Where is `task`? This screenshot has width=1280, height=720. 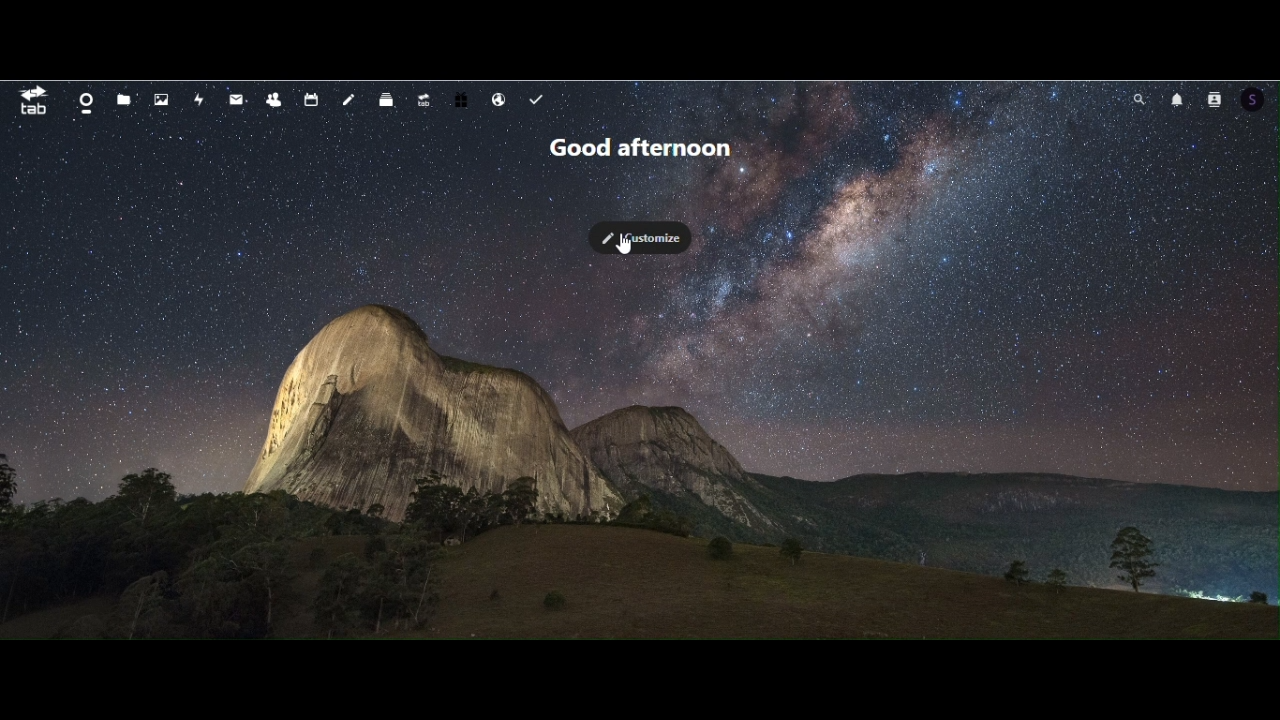
task is located at coordinates (540, 98).